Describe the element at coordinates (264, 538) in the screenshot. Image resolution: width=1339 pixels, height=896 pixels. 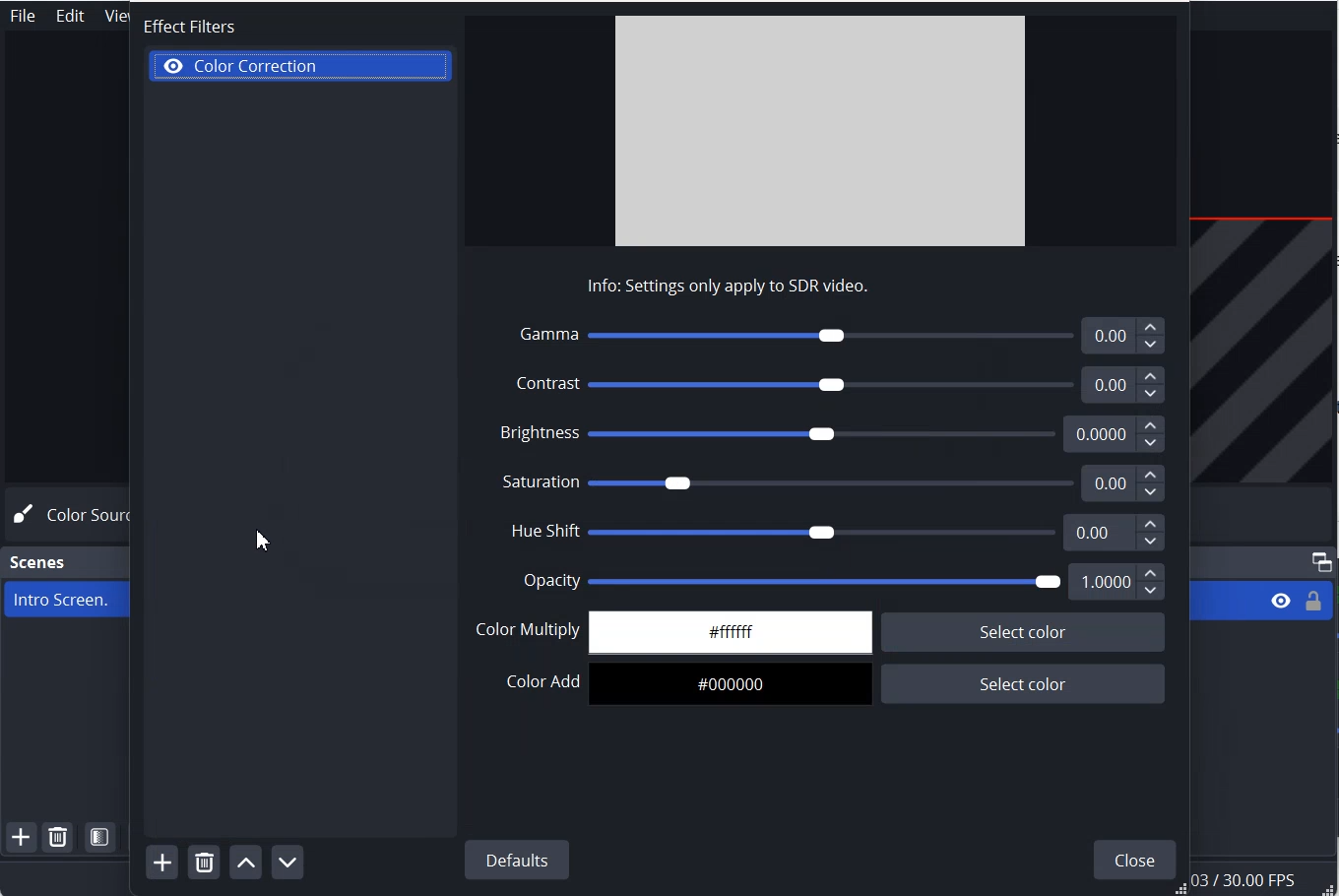
I see `Cursor` at that location.